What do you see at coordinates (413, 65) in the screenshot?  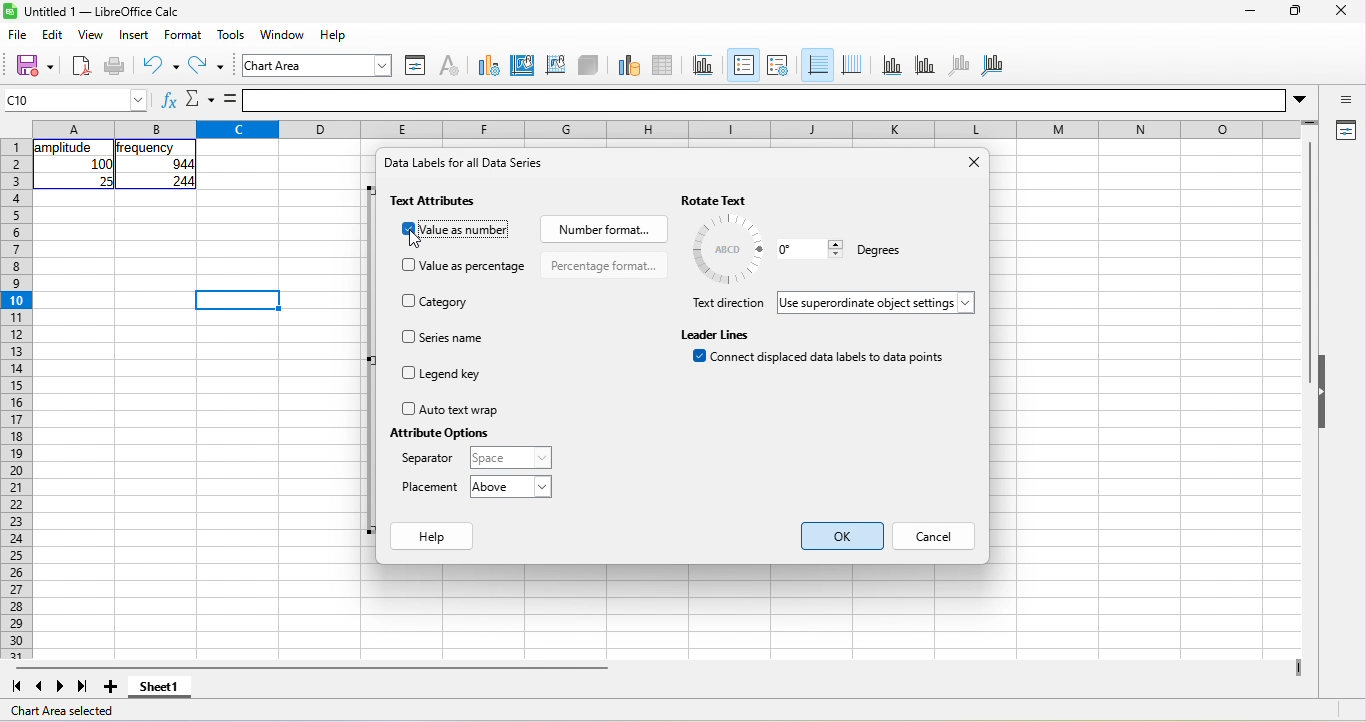 I see `format selection` at bounding box center [413, 65].